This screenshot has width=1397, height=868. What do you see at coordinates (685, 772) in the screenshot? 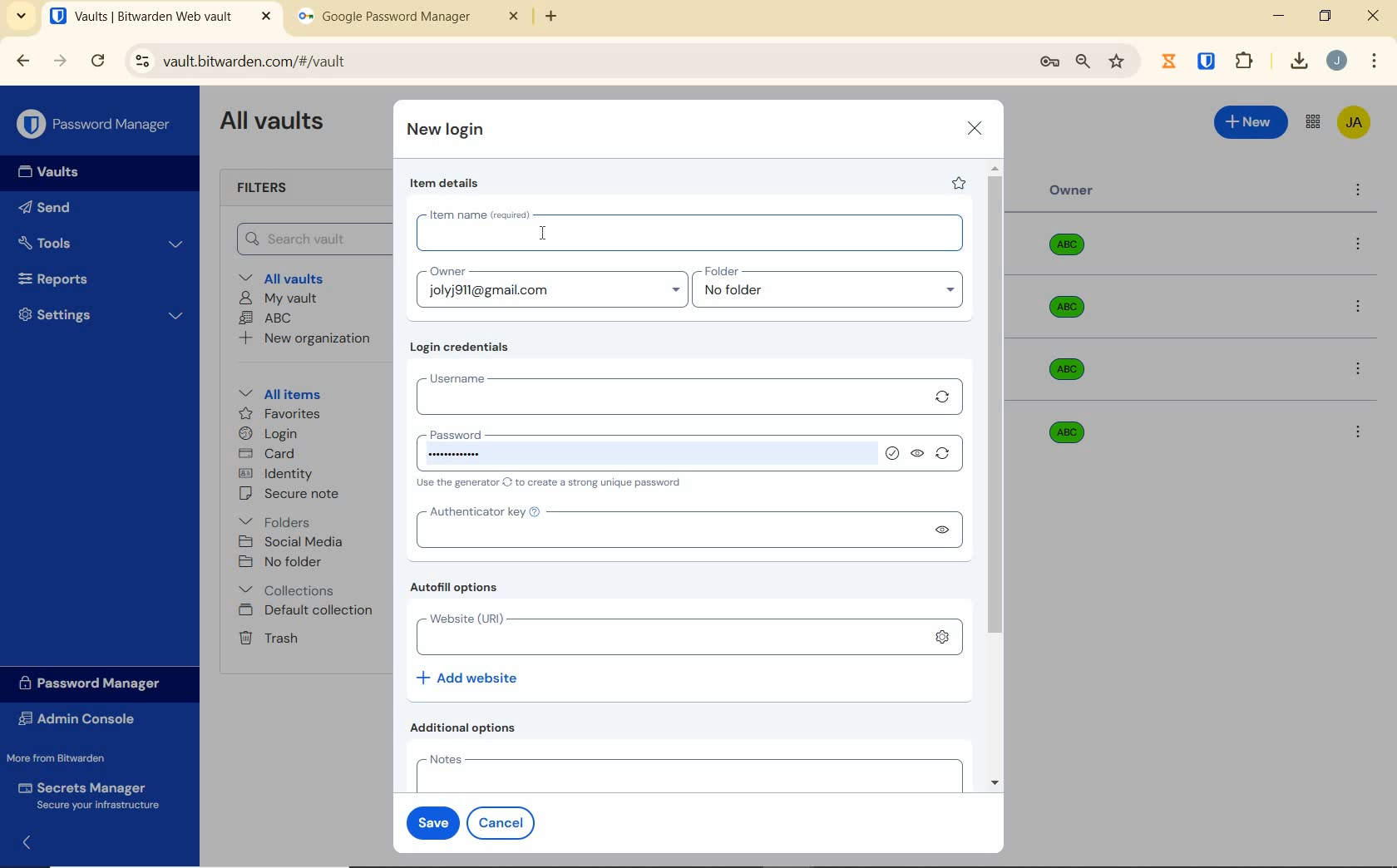
I see `notes` at bounding box center [685, 772].